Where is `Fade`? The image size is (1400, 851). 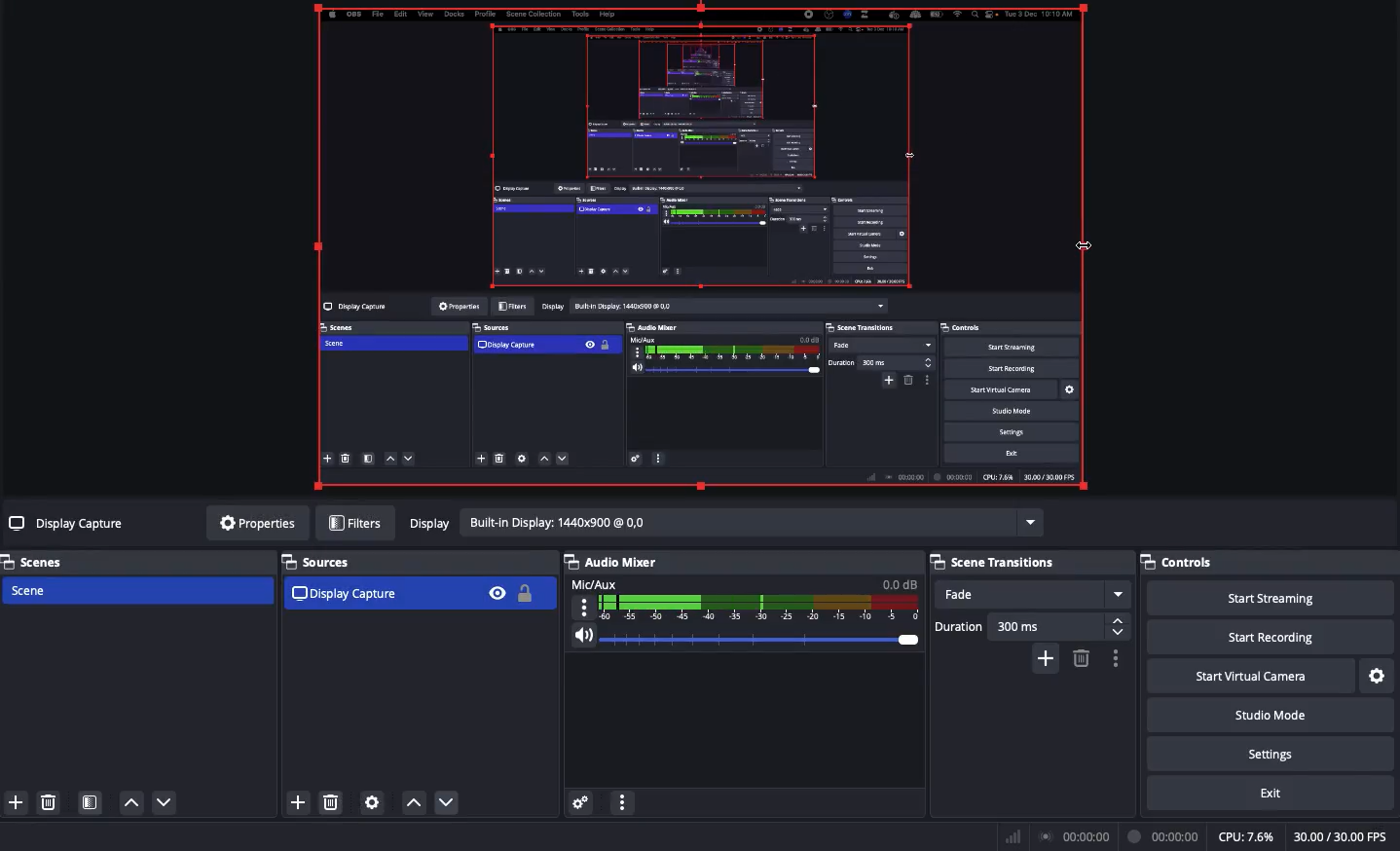
Fade is located at coordinates (1032, 595).